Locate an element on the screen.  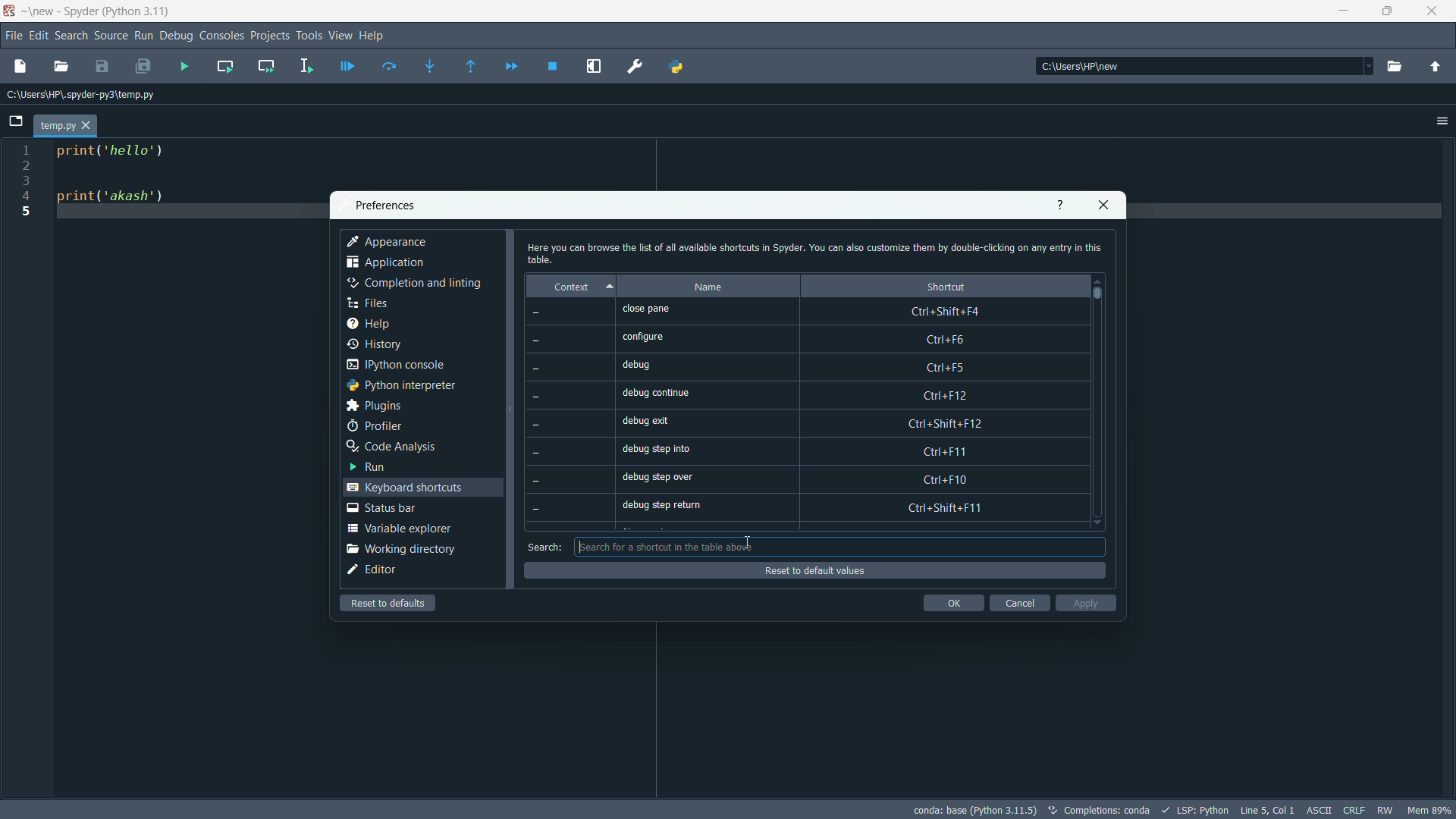
temp.py tab is located at coordinates (63, 125).